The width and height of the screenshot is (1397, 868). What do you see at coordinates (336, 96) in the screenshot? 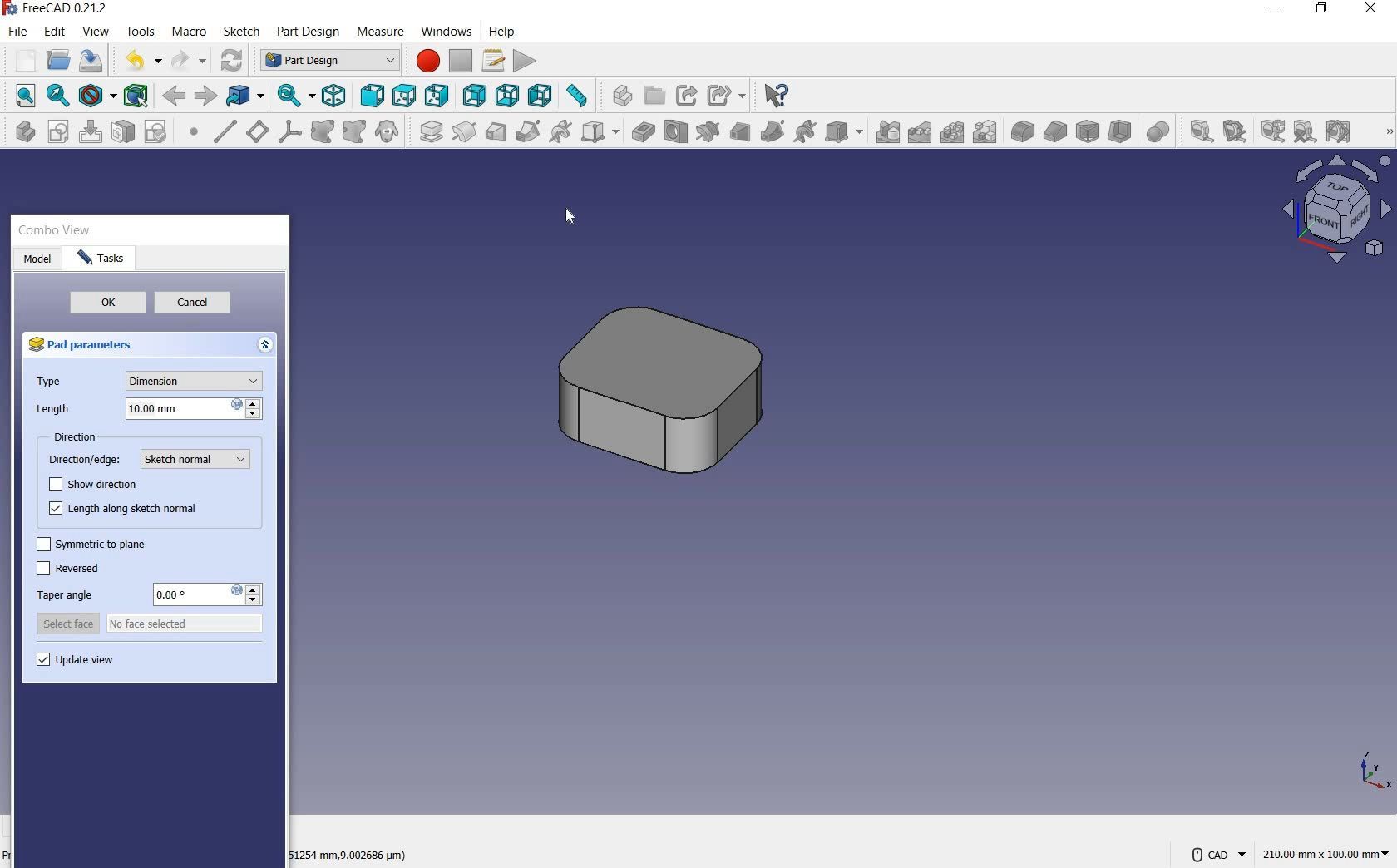
I see `isometric` at bounding box center [336, 96].